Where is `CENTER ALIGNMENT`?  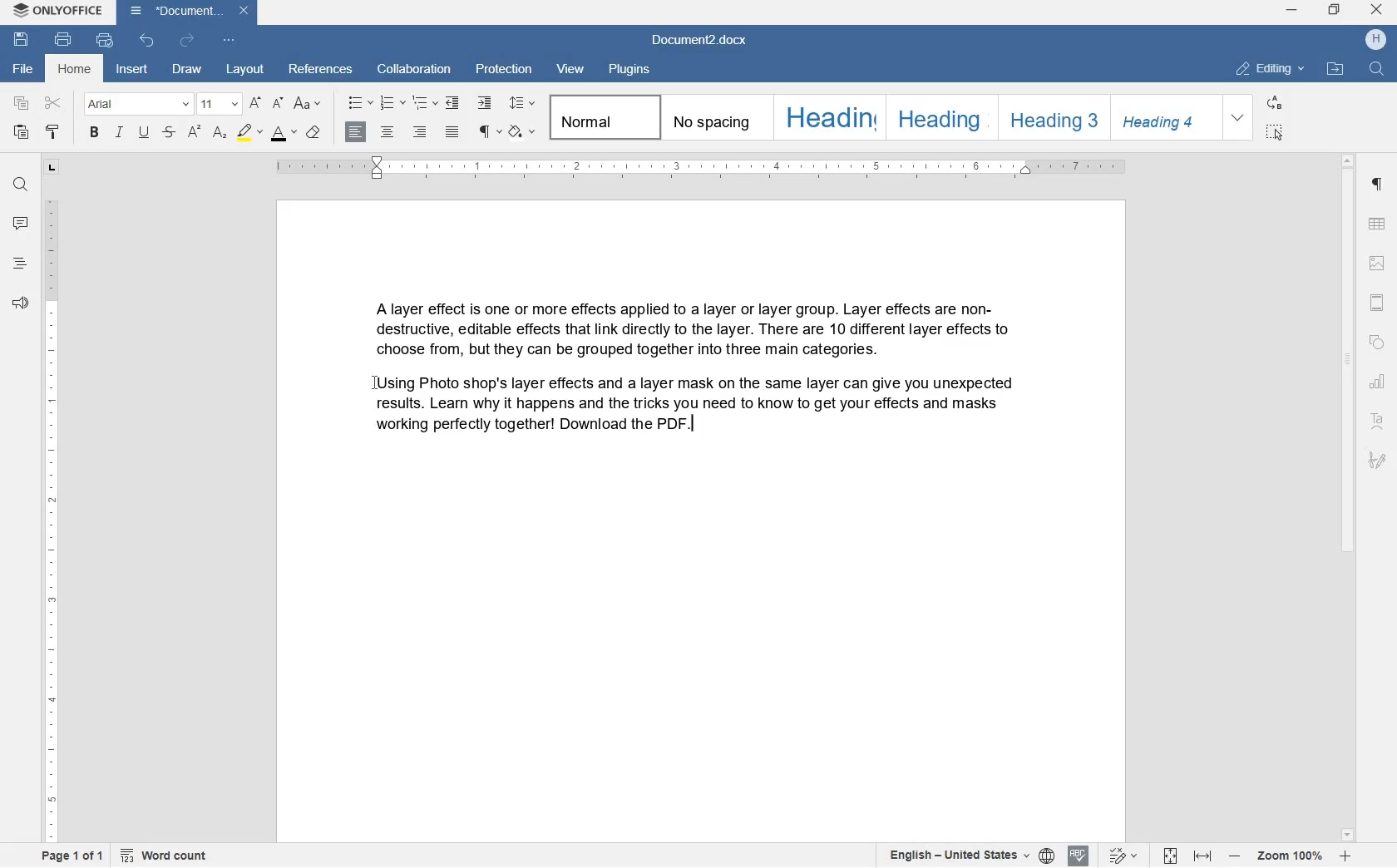 CENTER ALIGNMENT is located at coordinates (388, 132).